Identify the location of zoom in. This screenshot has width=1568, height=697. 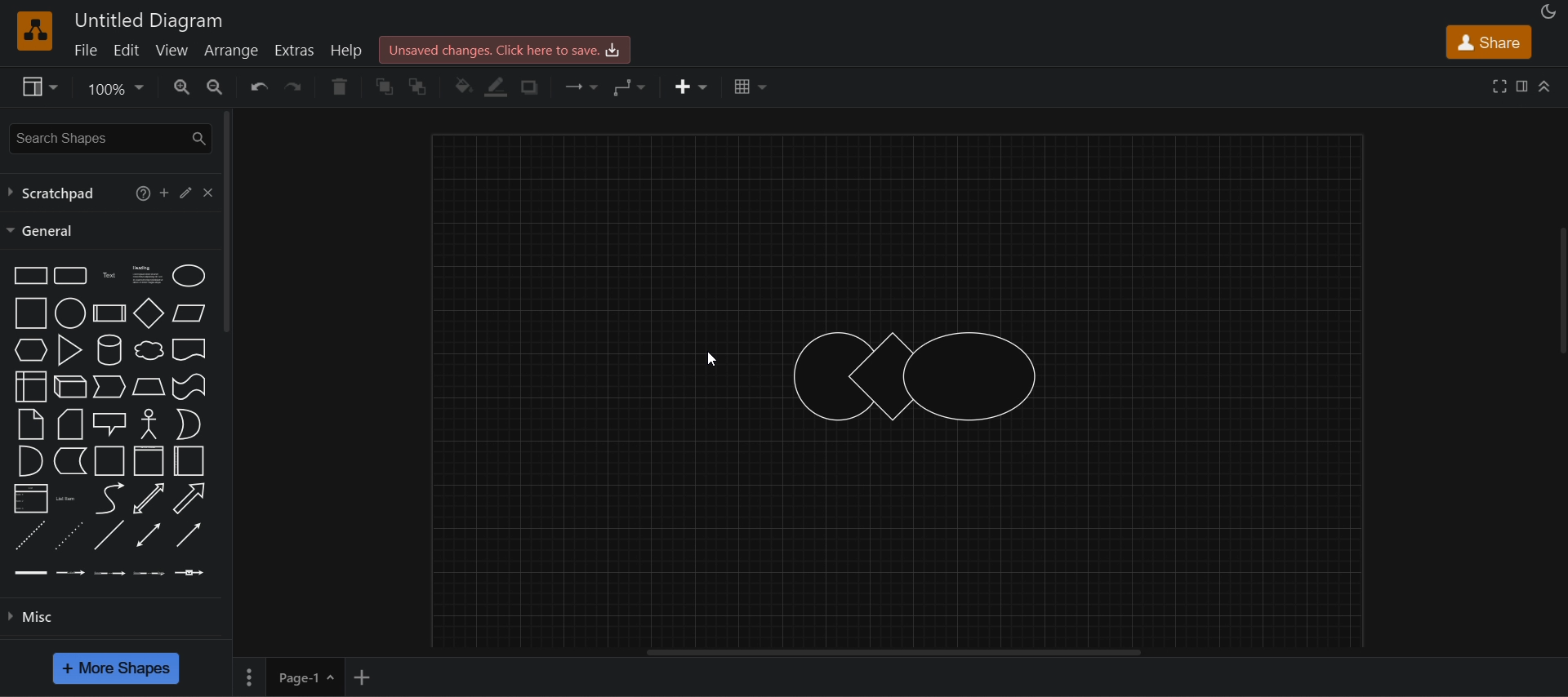
(182, 87).